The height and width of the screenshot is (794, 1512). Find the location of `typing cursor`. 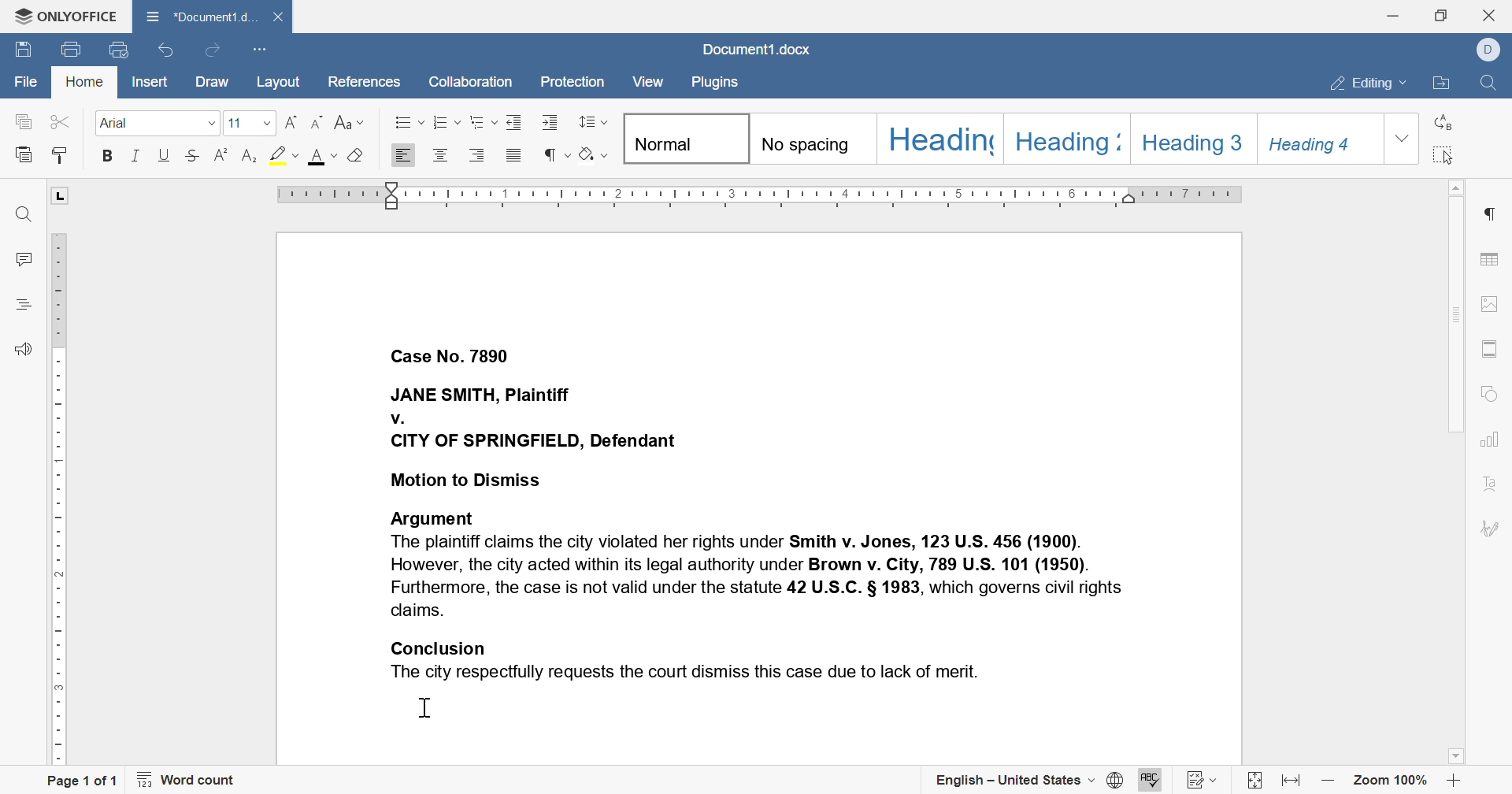

typing cursor is located at coordinates (391, 710).